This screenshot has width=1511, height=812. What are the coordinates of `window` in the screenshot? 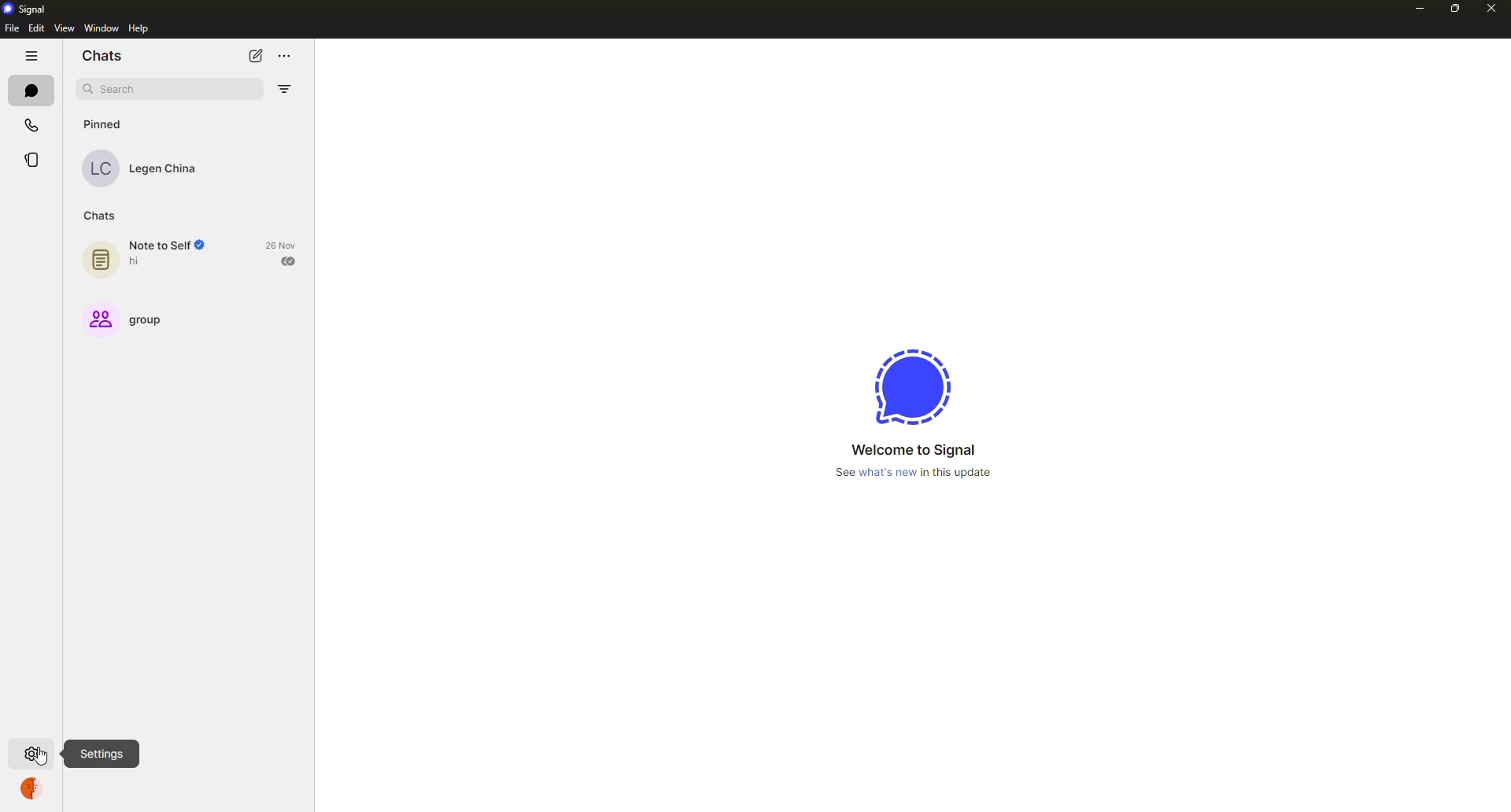 It's located at (101, 29).